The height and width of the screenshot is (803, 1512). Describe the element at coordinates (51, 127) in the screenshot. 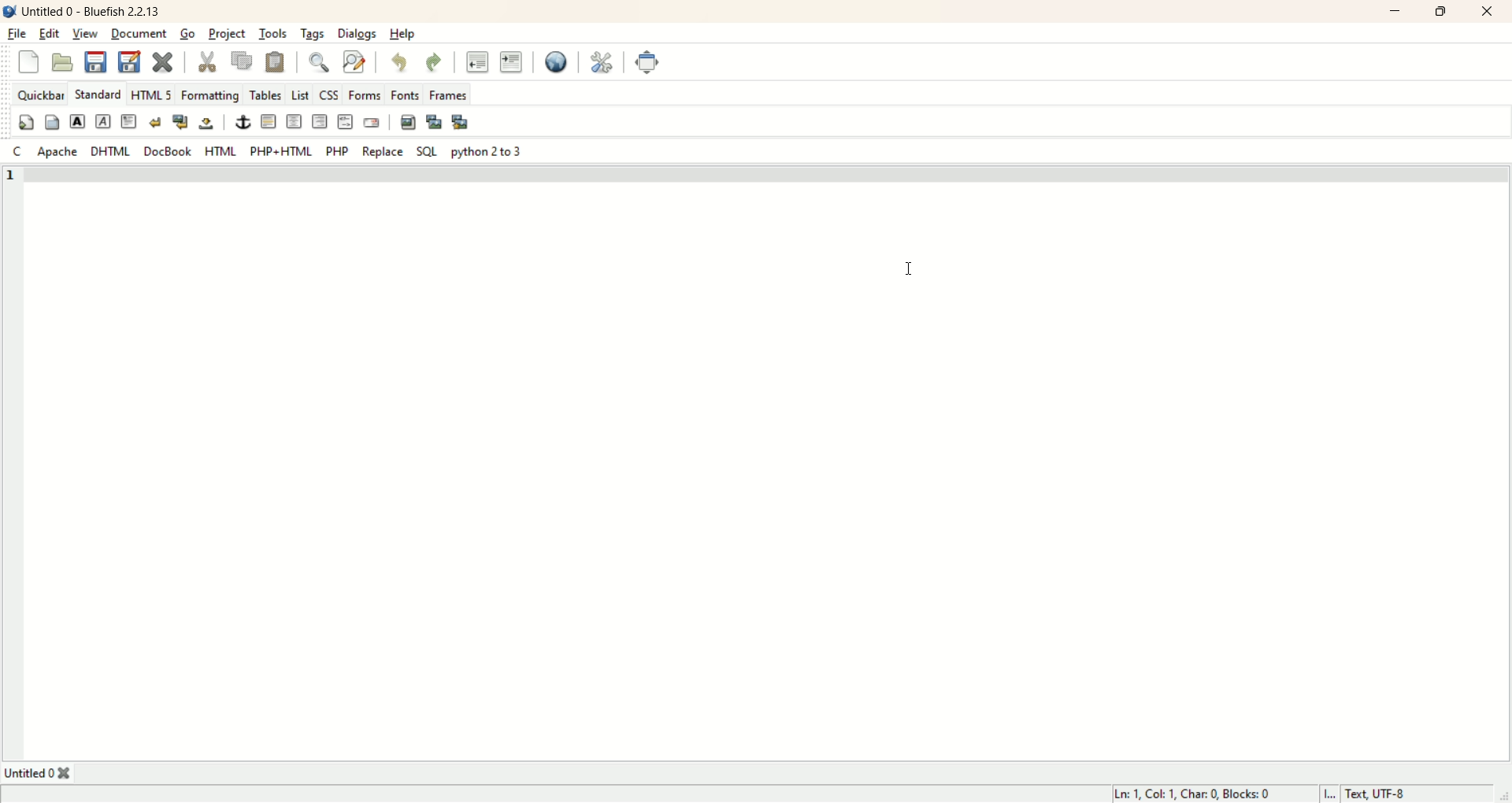

I see `body` at that location.